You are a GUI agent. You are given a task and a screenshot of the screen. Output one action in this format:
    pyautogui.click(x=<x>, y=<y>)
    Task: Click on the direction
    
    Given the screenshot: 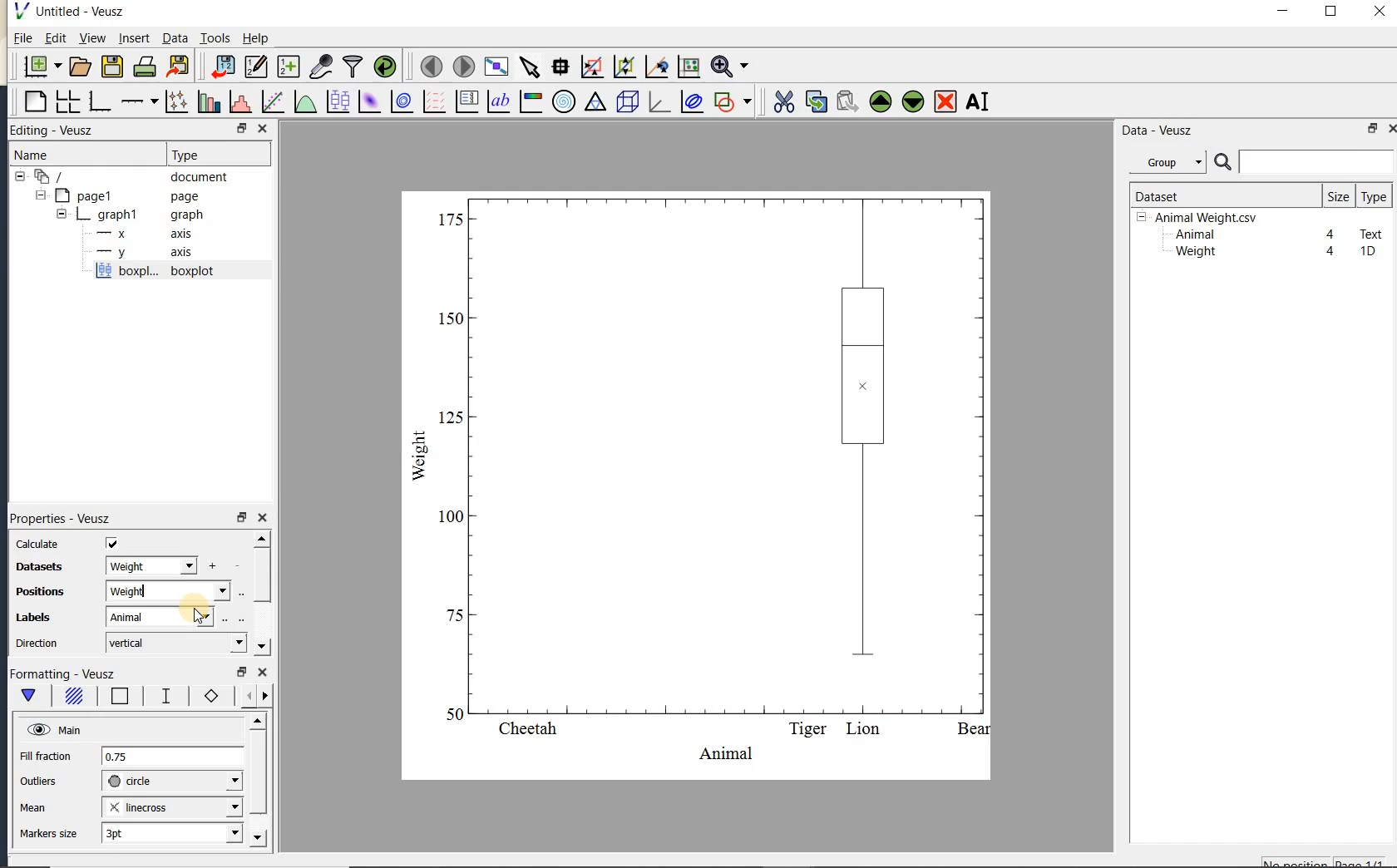 What is the action you would take?
    pyautogui.click(x=38, y=643)
    